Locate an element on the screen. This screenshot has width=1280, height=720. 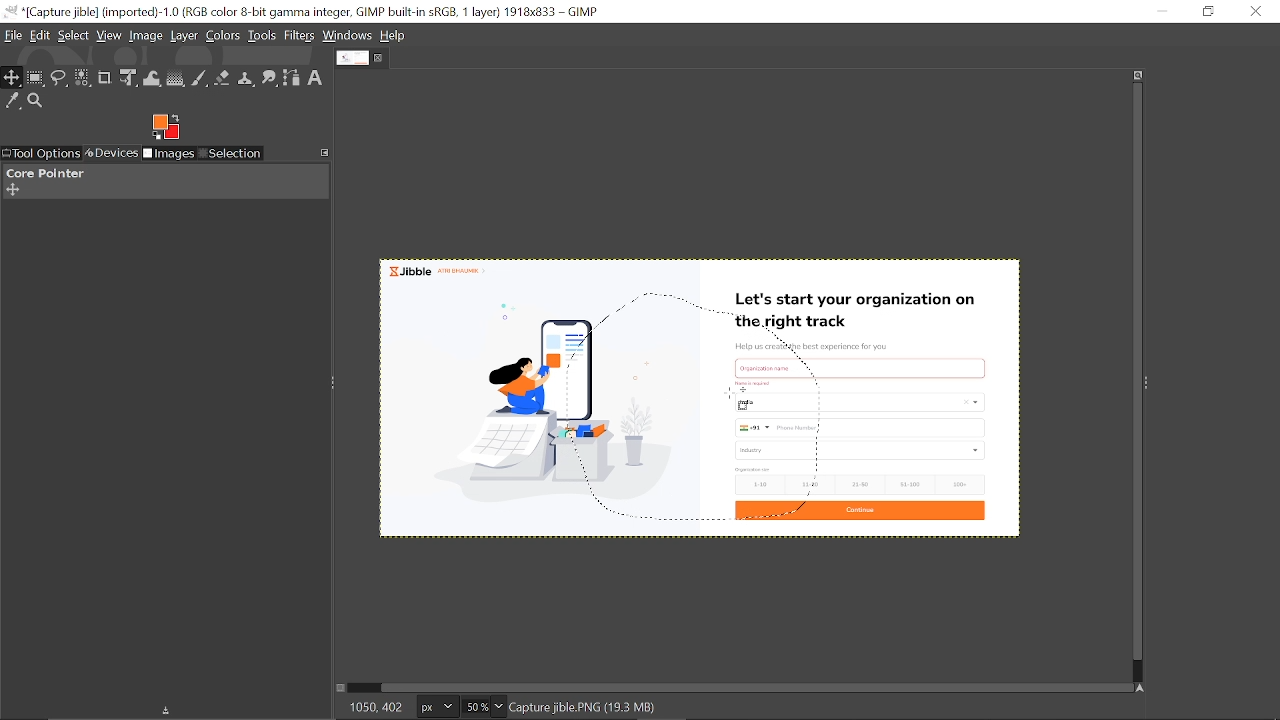
Toggle quick mask on/off is located at coordinates (339, 688).